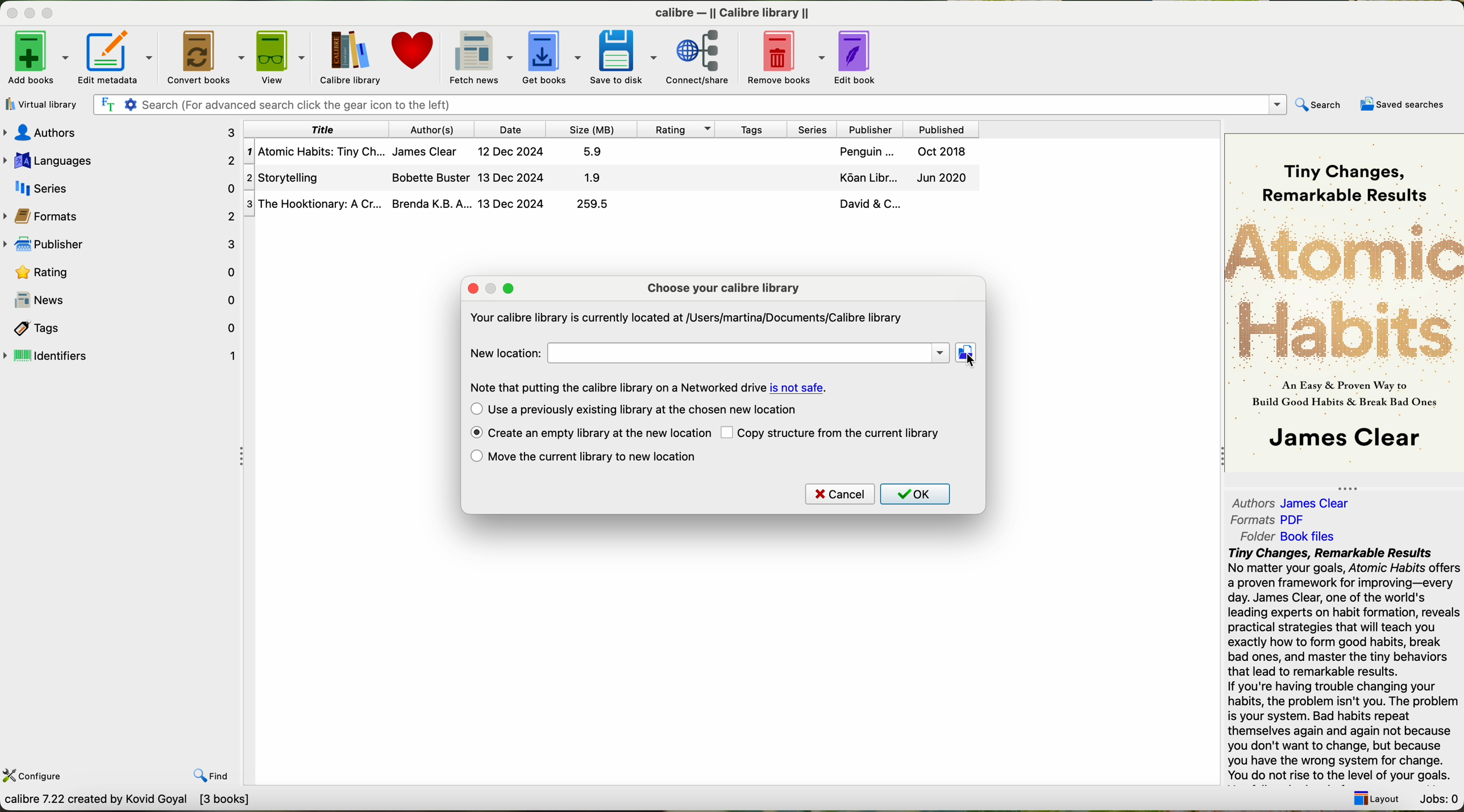 This screenshot has width=1464, height=812. What do you see at coordinates (624, 56) in the screenshot?
I see `save to disk` at bounding box center [624, 56].